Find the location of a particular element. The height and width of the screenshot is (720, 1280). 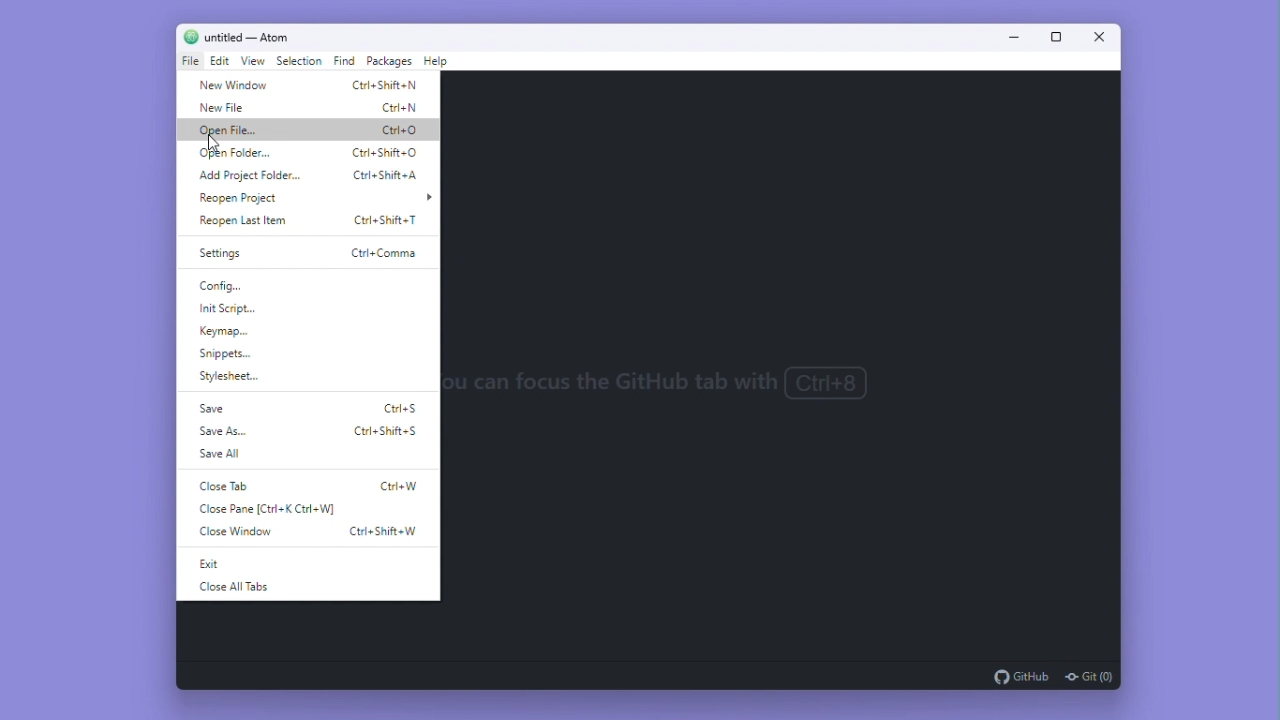

Minimise is located at coordinates (1011, 36).